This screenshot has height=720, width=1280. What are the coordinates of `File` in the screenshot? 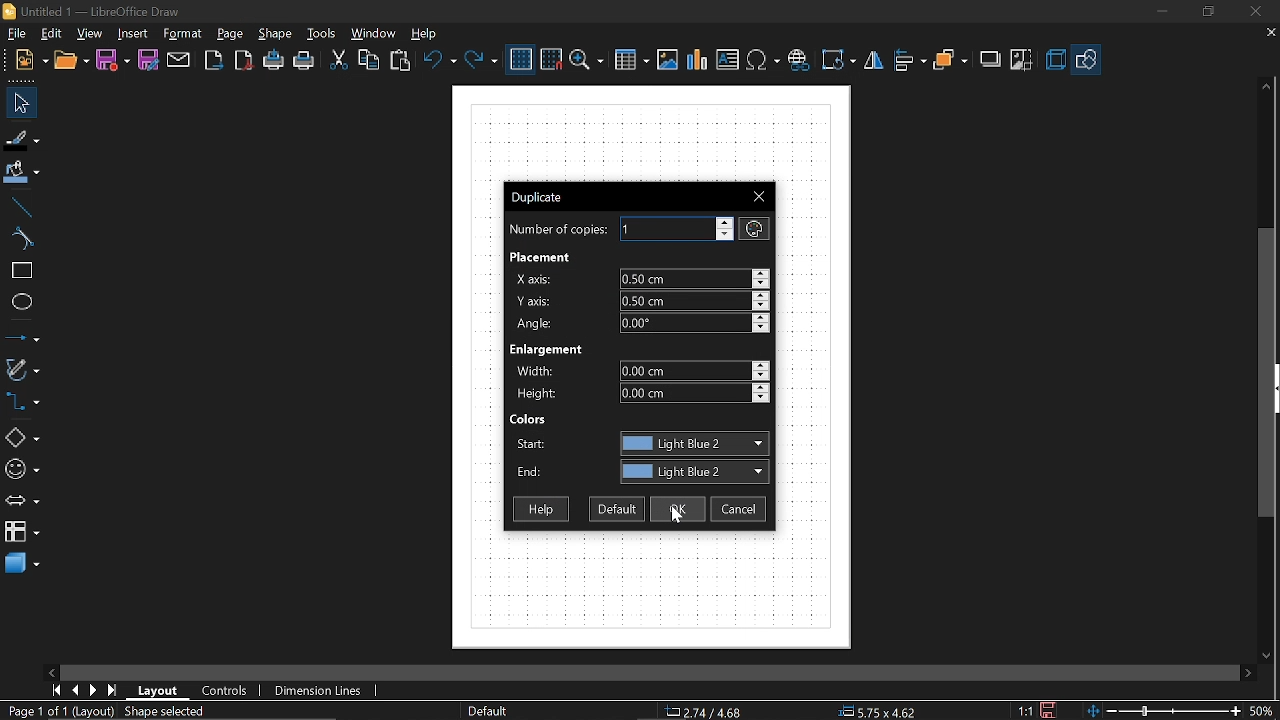 It's located at (15, 34).